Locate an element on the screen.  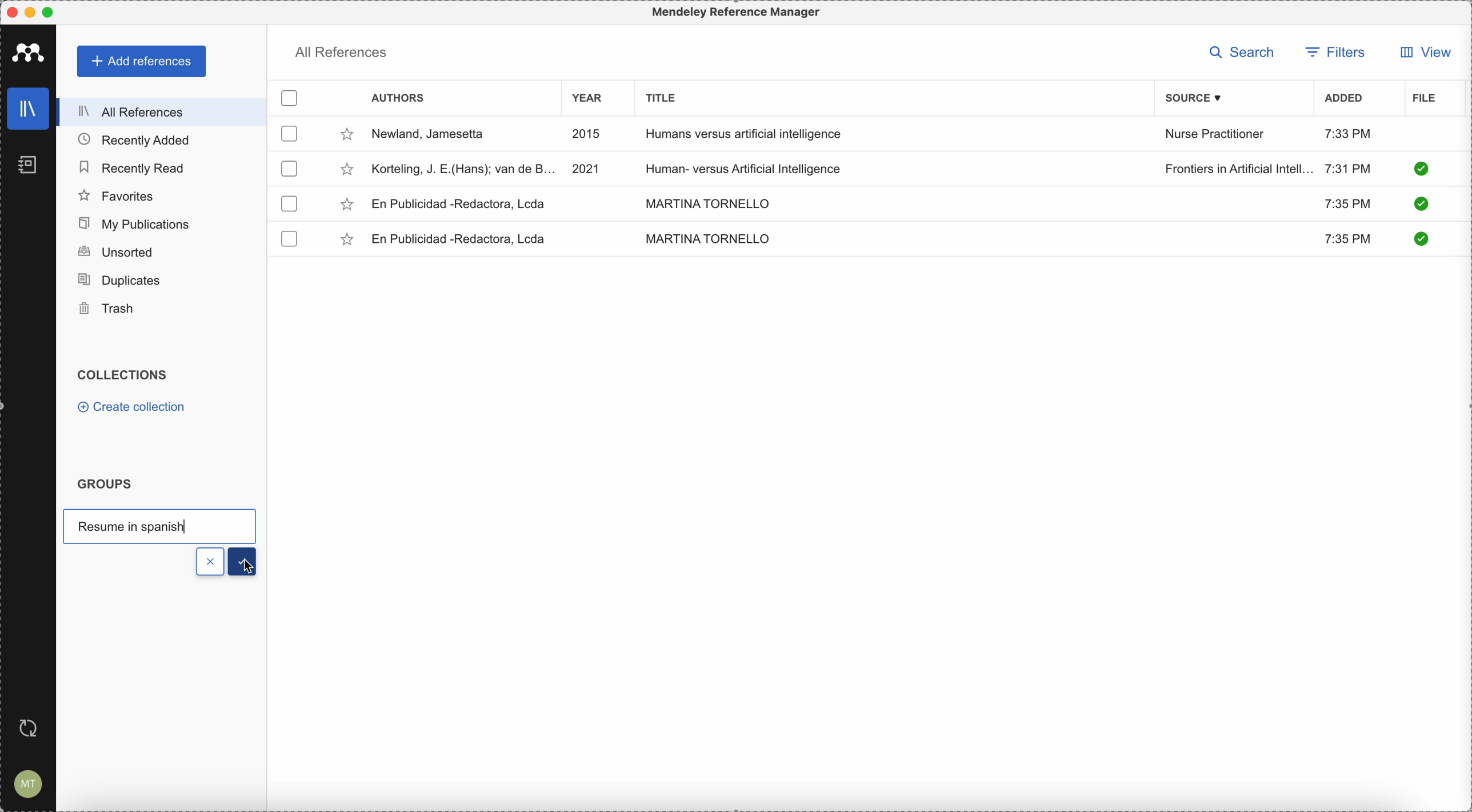
recently added is located at coordinates (143, 139).